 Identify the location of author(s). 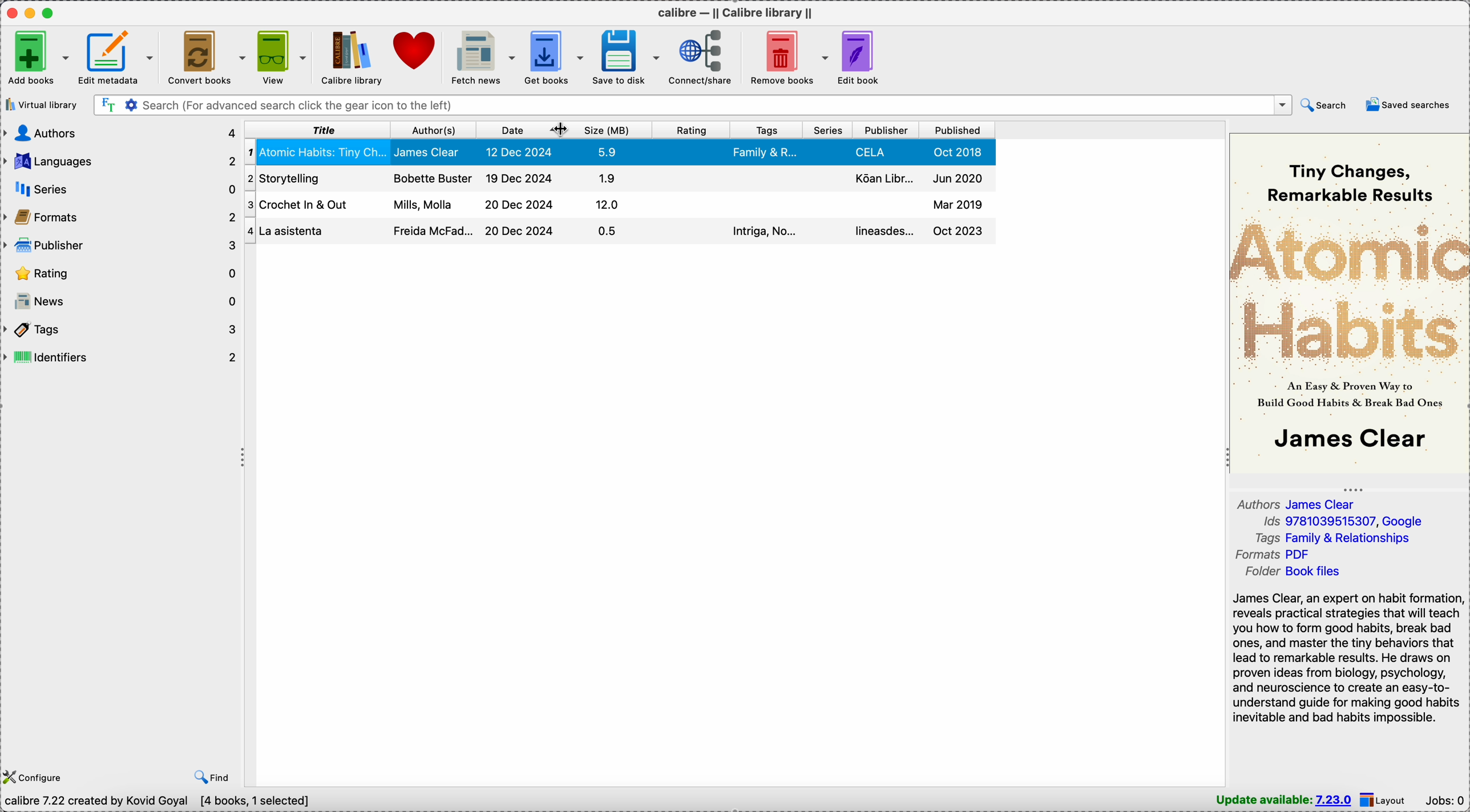
(432, 131).